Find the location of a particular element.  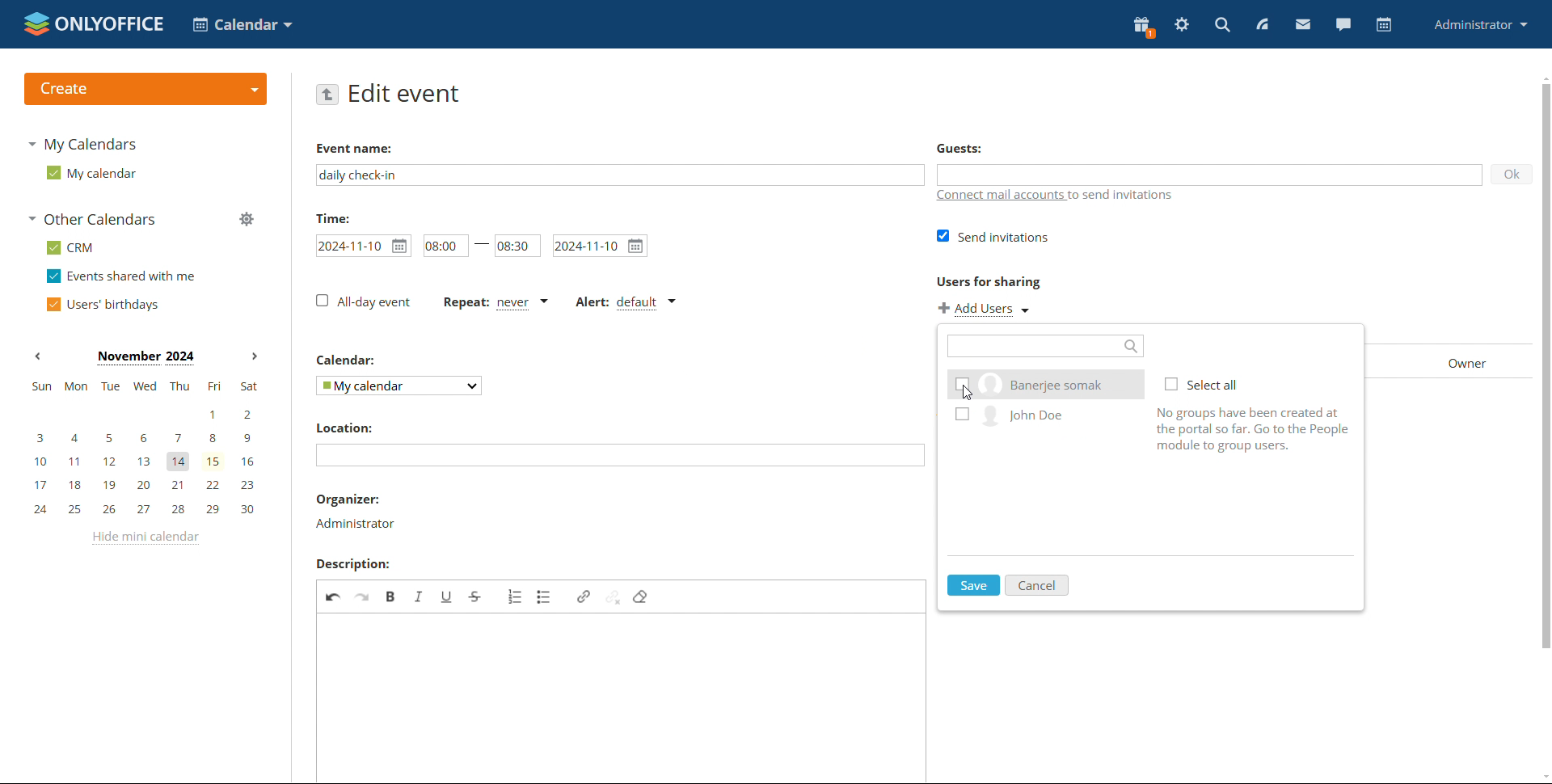

owner is located at coordinates (1453, 362).